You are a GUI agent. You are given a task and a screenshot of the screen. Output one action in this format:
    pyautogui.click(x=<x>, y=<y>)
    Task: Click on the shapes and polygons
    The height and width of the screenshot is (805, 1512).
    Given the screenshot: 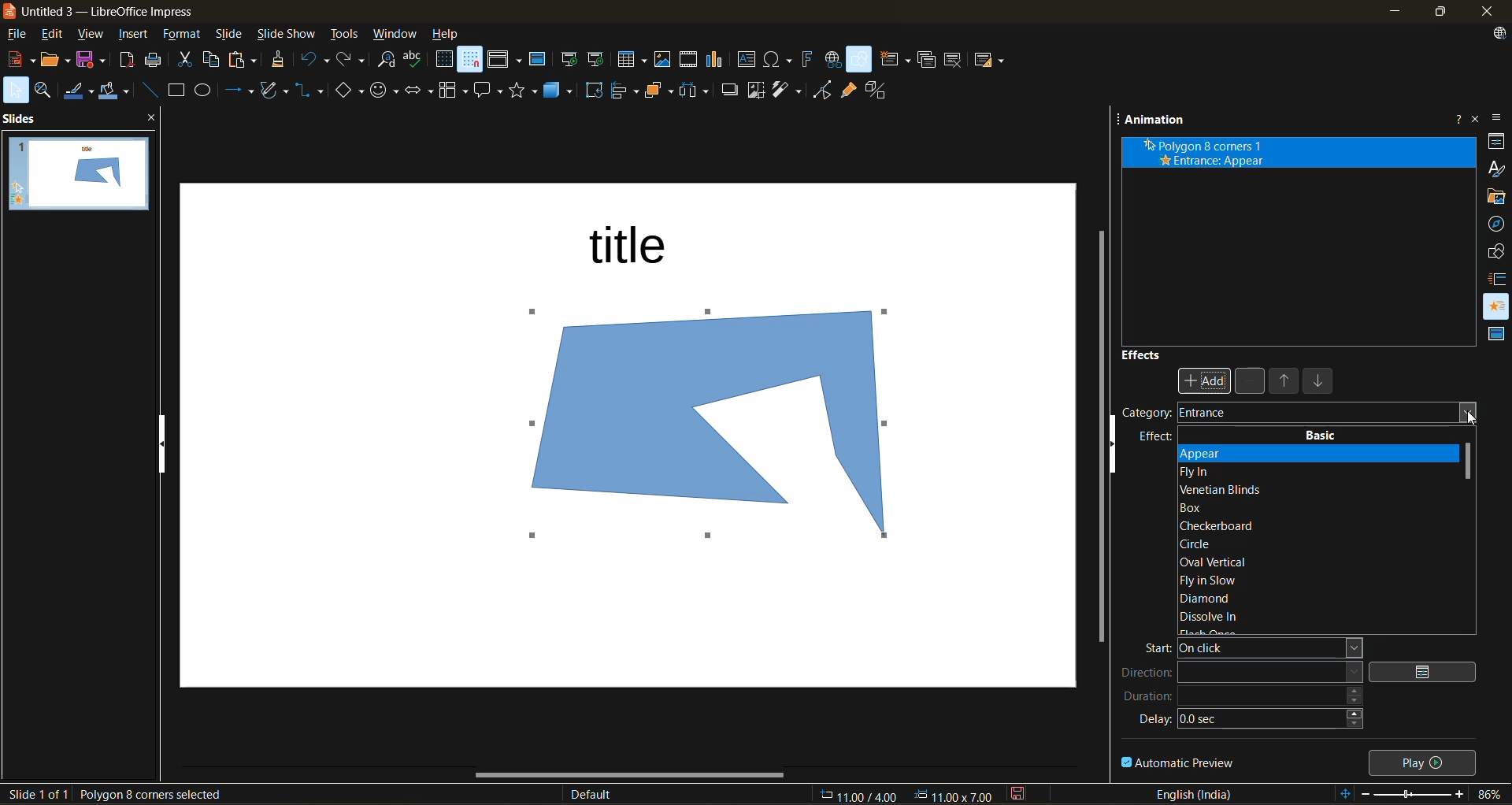 What is the action you would take?
    pyautogui.click(x=272, y=89)
    